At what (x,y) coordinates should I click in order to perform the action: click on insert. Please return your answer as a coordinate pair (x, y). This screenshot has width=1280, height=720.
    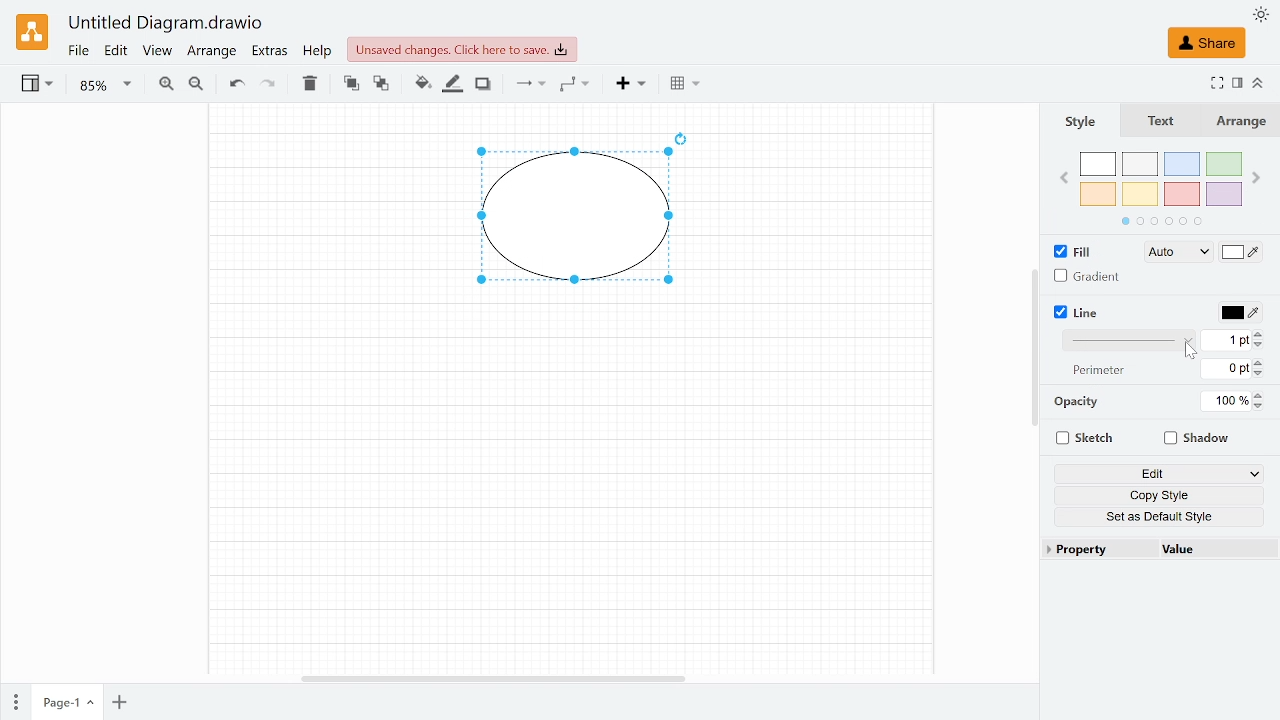
    Looking at the image, I should click on (626, 85).